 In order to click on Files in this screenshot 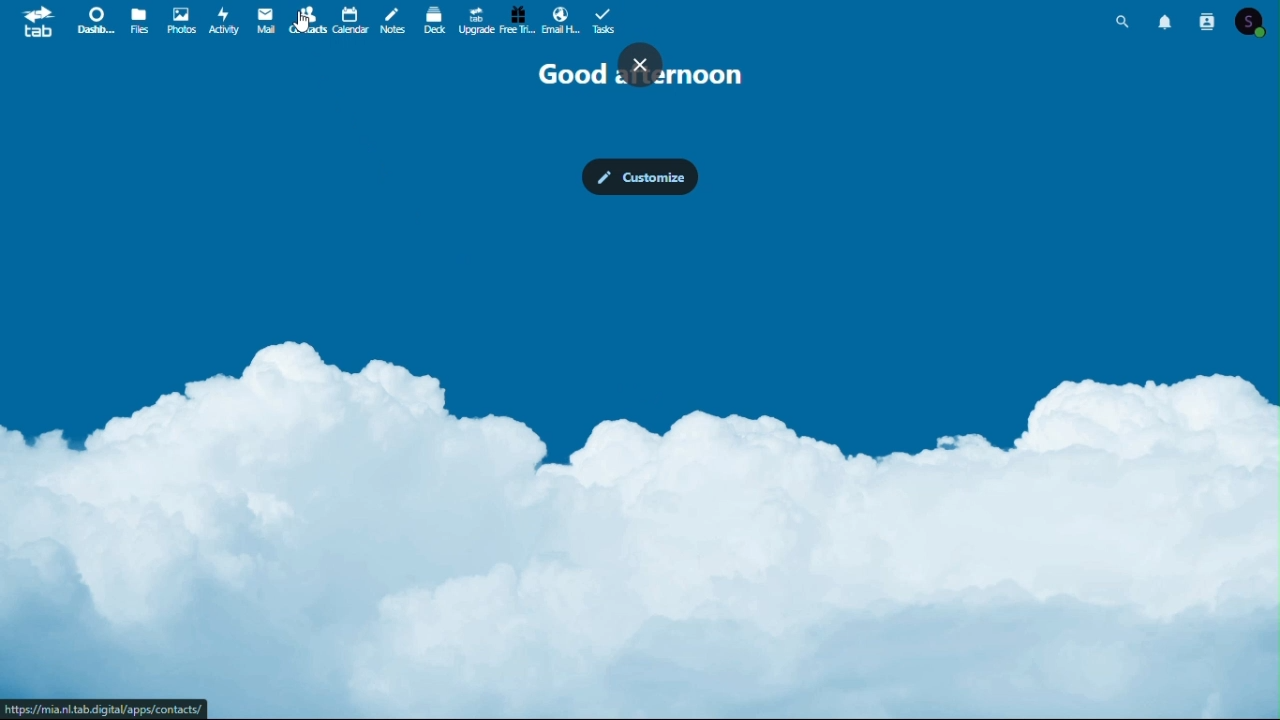, I will do `click(138, 24)`.